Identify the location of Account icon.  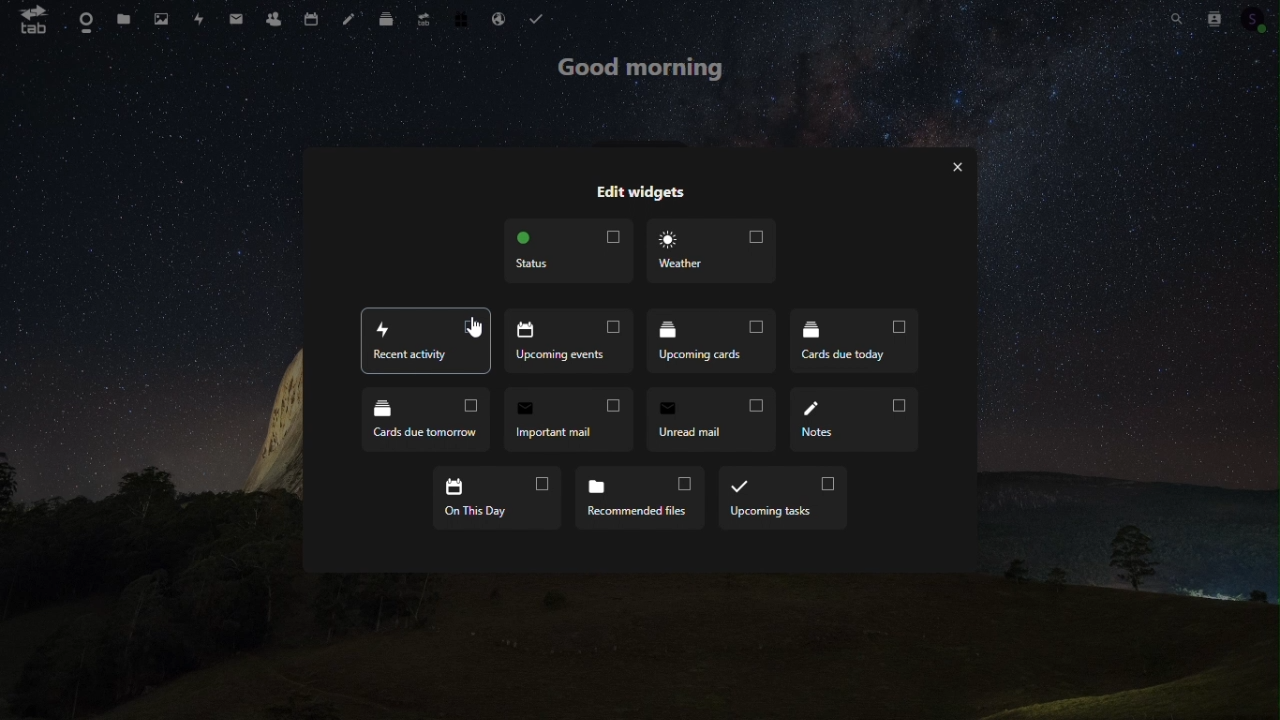
(1258, 16).